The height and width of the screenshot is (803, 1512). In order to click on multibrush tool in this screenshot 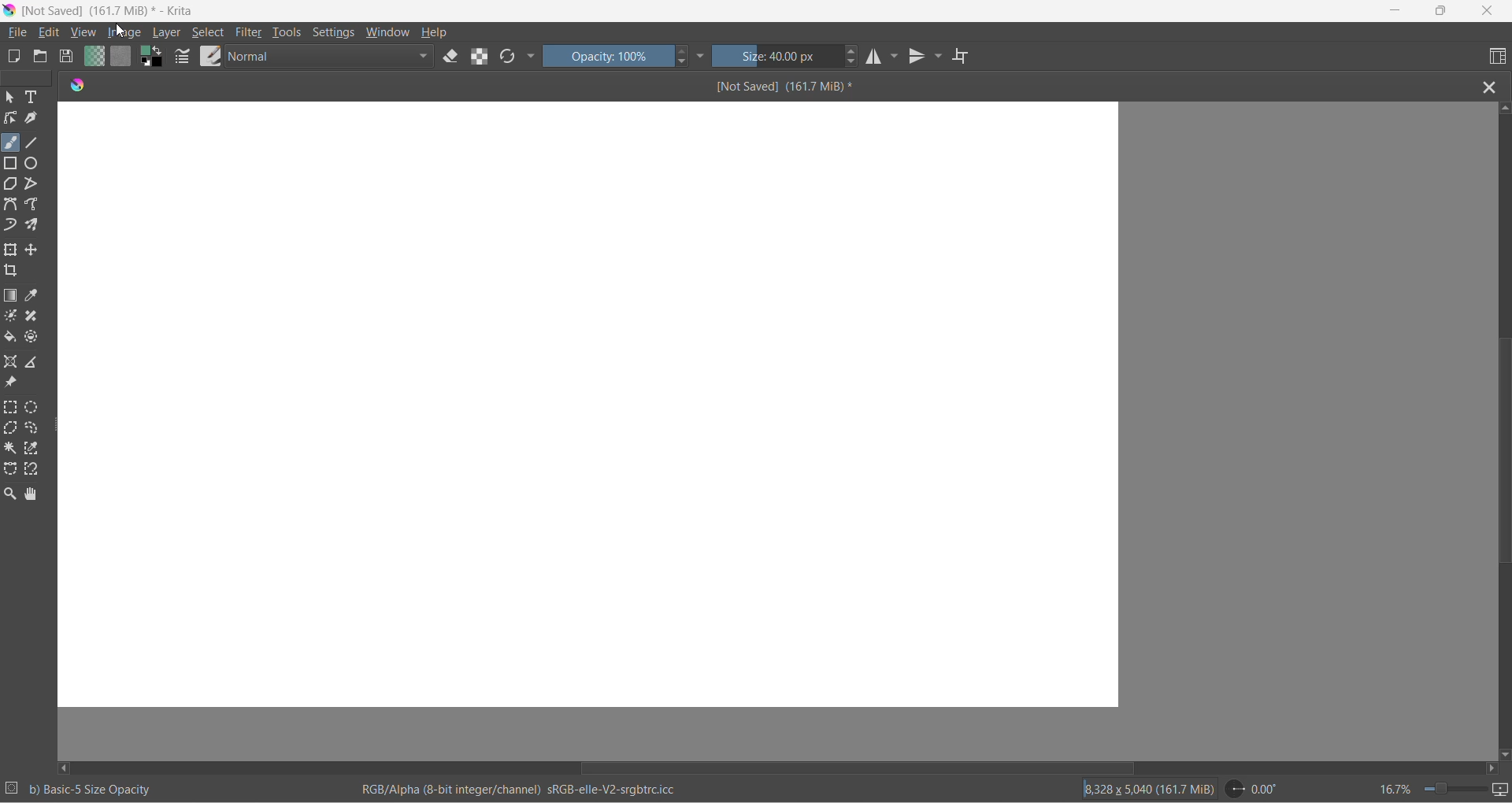, I will do `click(37, 225)`.